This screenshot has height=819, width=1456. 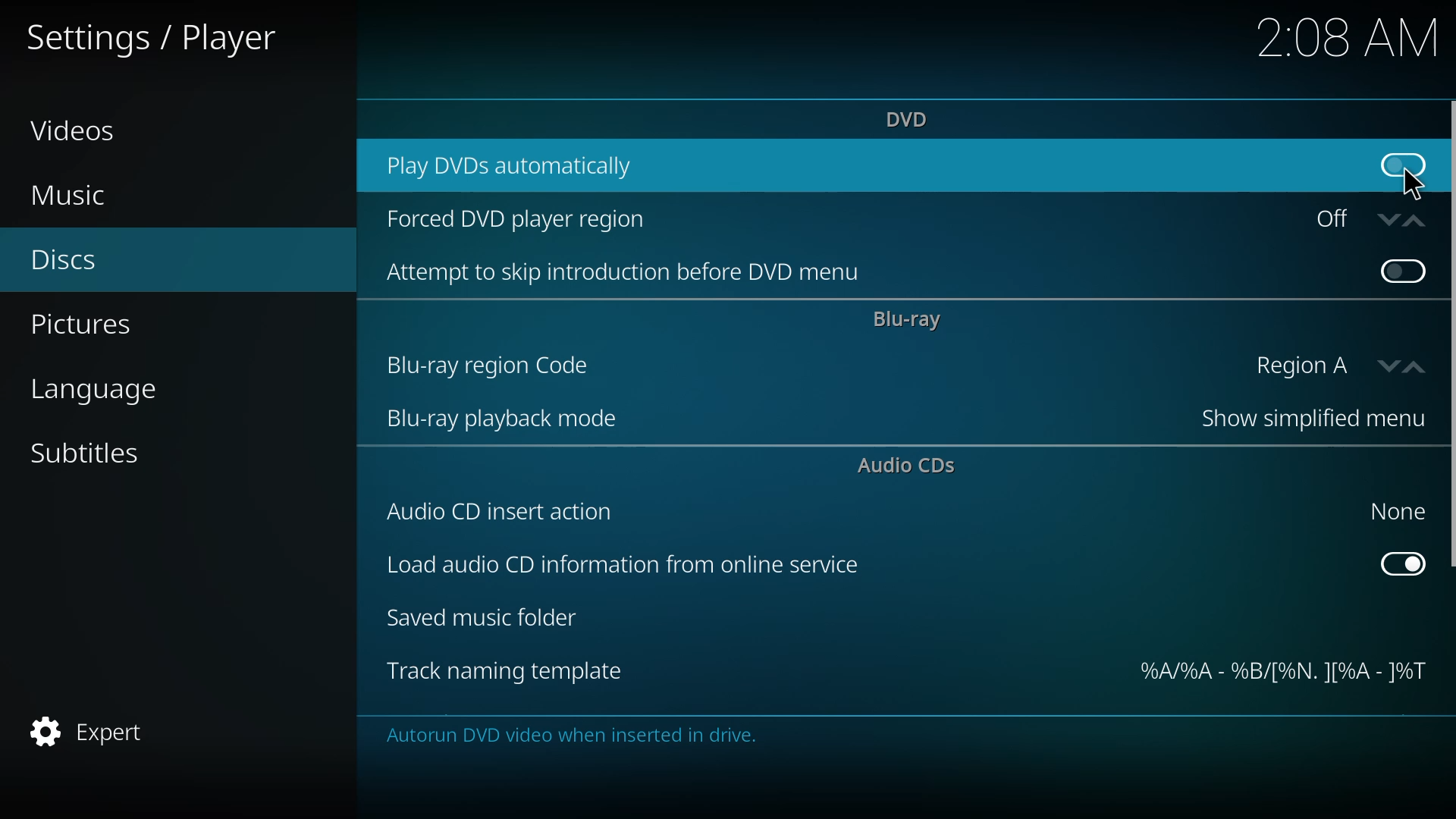 I want to click on language, so click(x=98, y=391).